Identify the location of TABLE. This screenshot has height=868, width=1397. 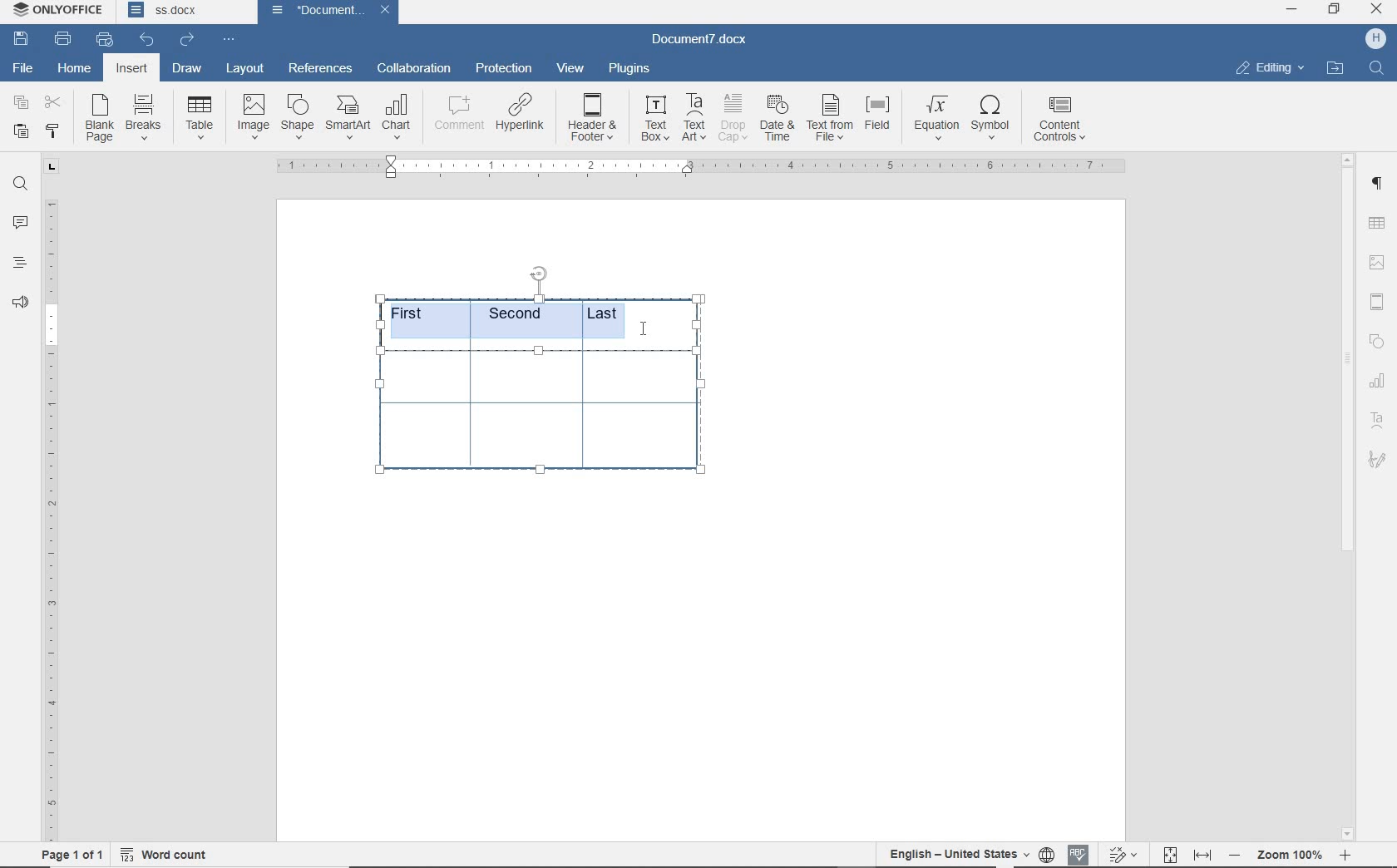
(1376, 223).